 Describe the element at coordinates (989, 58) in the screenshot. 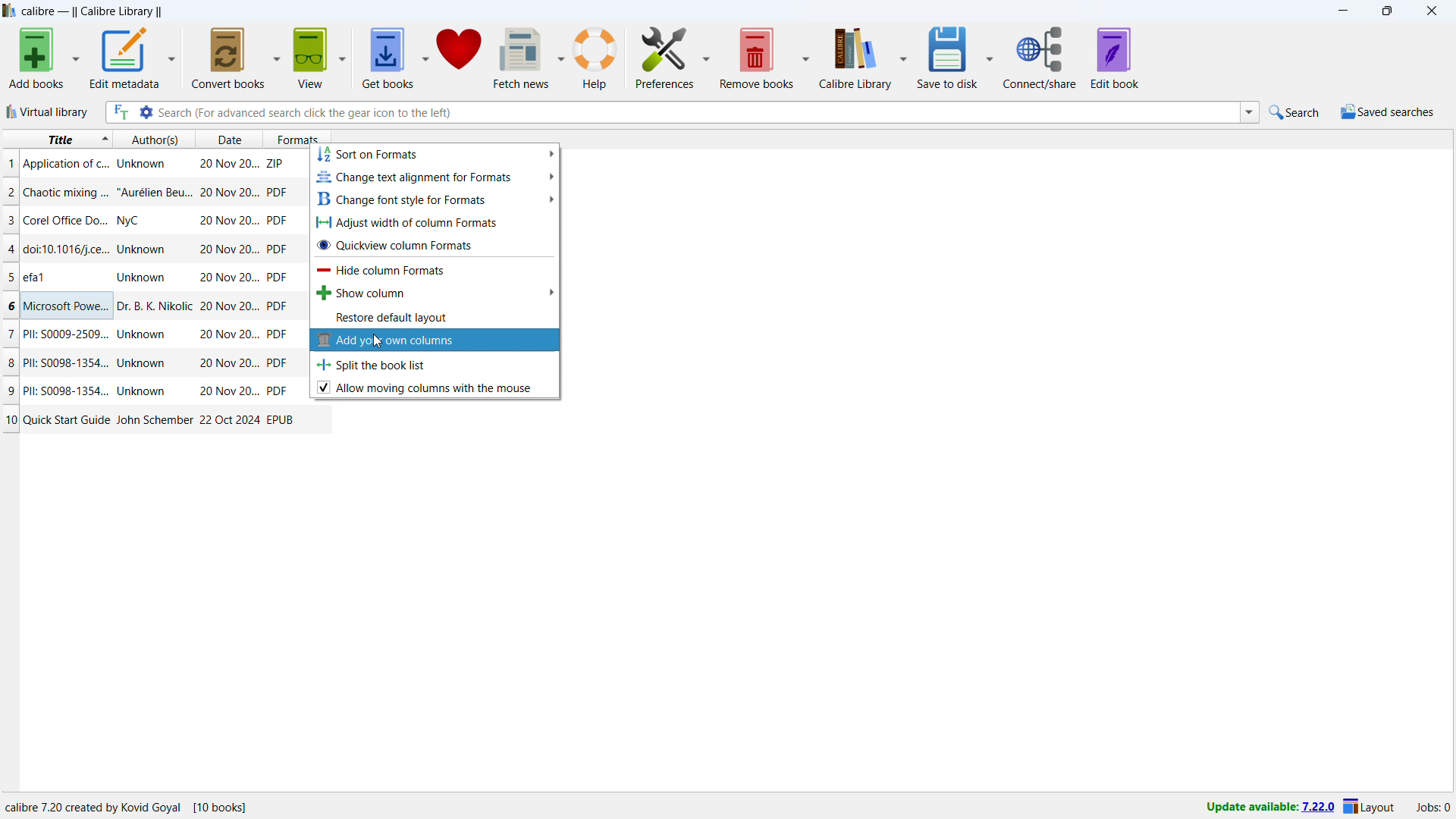

I see `save to disk options` at that location.